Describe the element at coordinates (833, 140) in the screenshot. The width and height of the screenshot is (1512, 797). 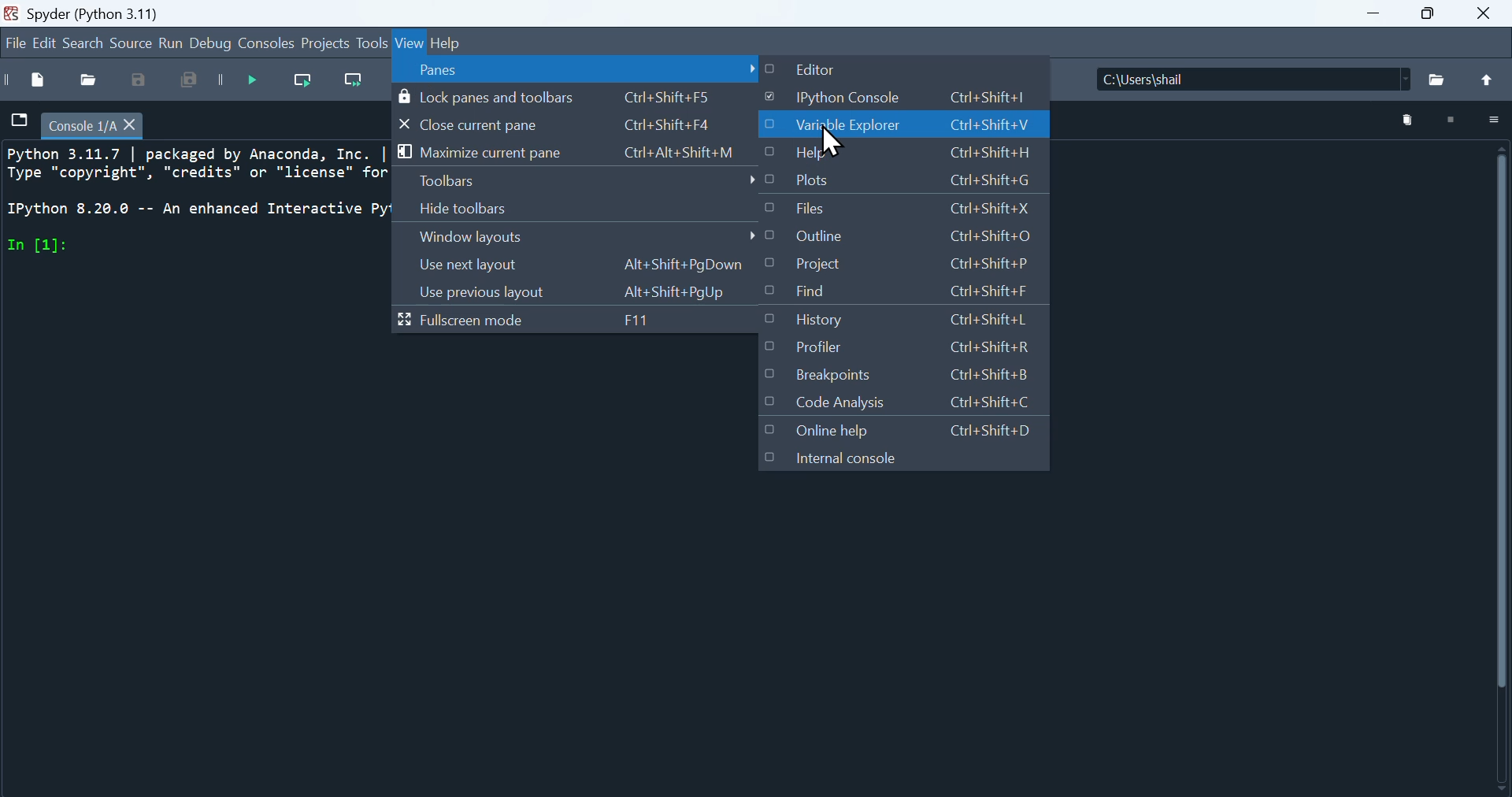
I see `Cursor on Variable Explorer` at that location.